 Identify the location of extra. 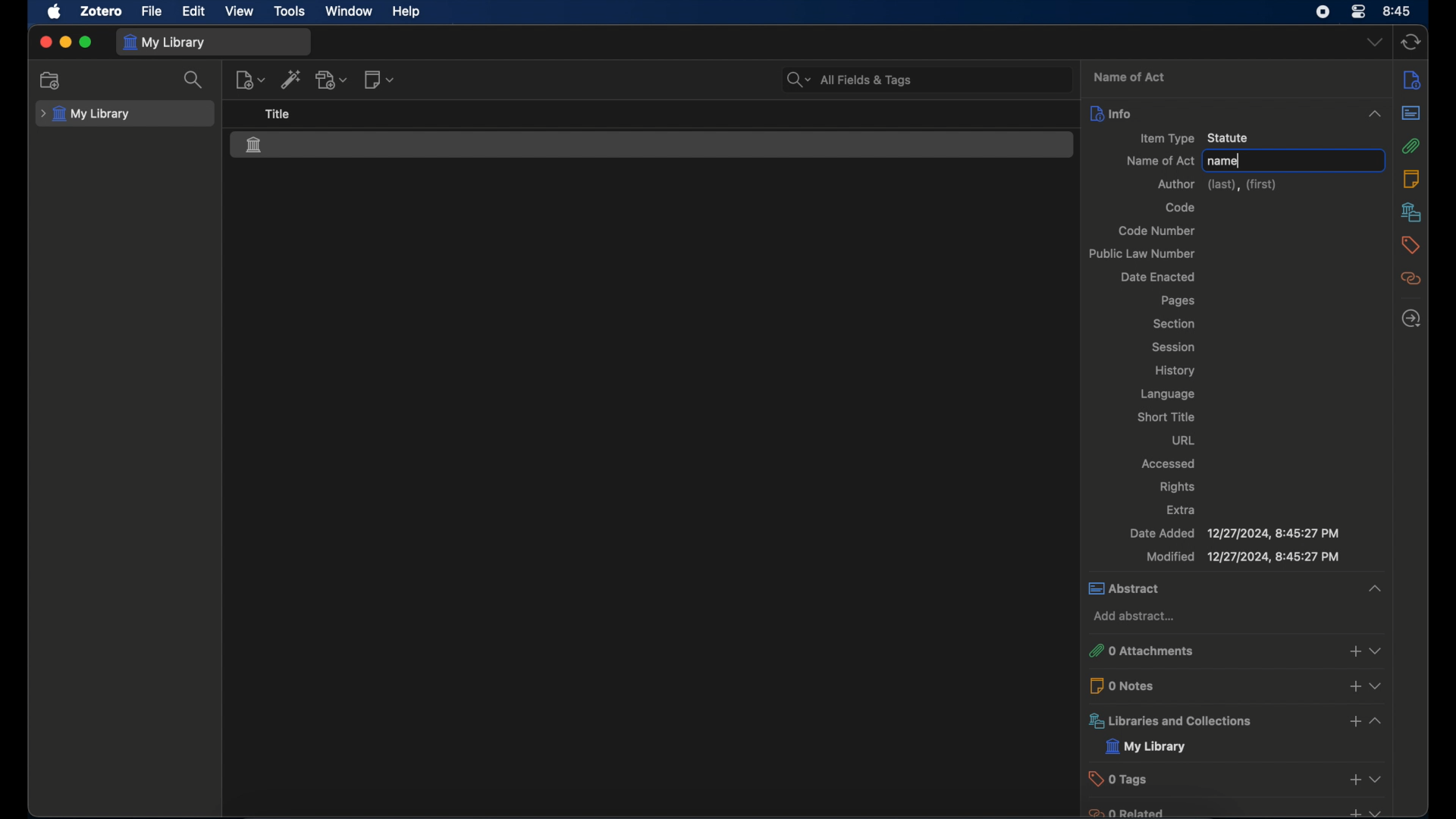
(1181, 509).